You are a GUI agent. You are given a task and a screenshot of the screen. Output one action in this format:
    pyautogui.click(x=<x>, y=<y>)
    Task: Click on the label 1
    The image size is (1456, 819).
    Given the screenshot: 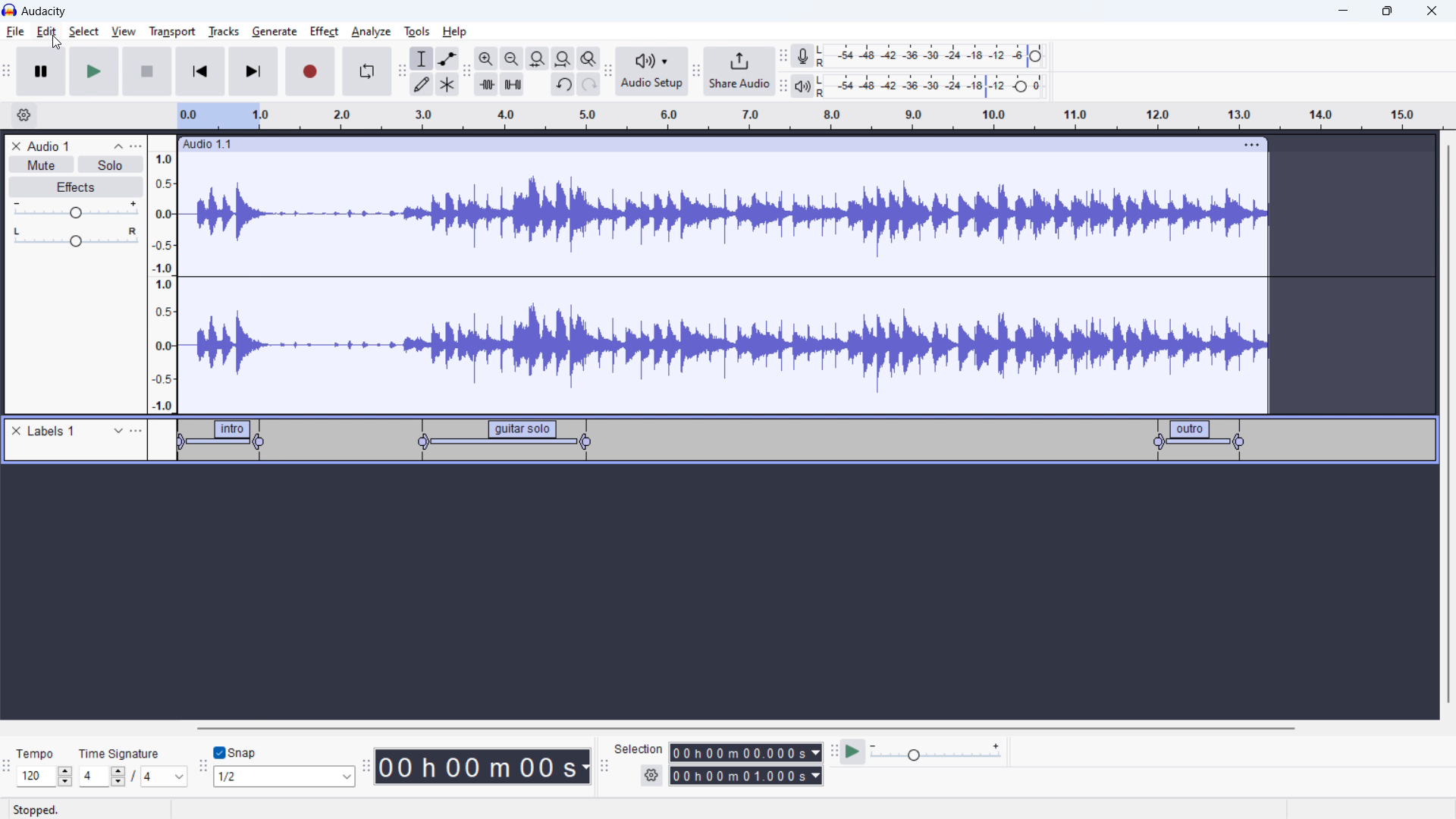 What is the action you would take?
    pyautogui.click(x=221, y=442)
    